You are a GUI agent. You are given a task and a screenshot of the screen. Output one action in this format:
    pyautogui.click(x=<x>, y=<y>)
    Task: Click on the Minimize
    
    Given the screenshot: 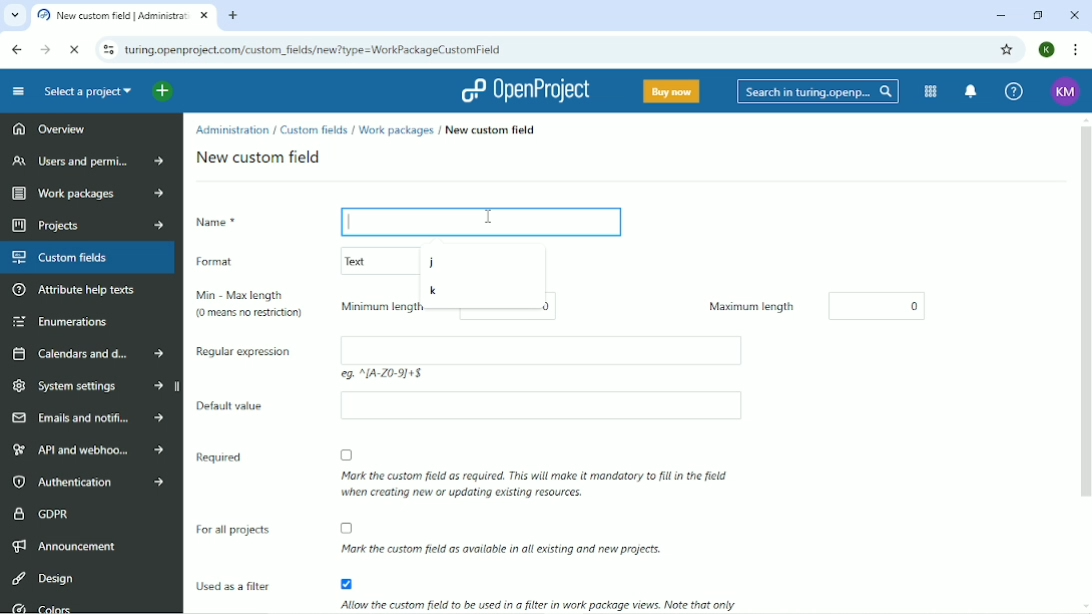 What is the action you would take?
    pyautogui.click(x=1001, y=16)
    